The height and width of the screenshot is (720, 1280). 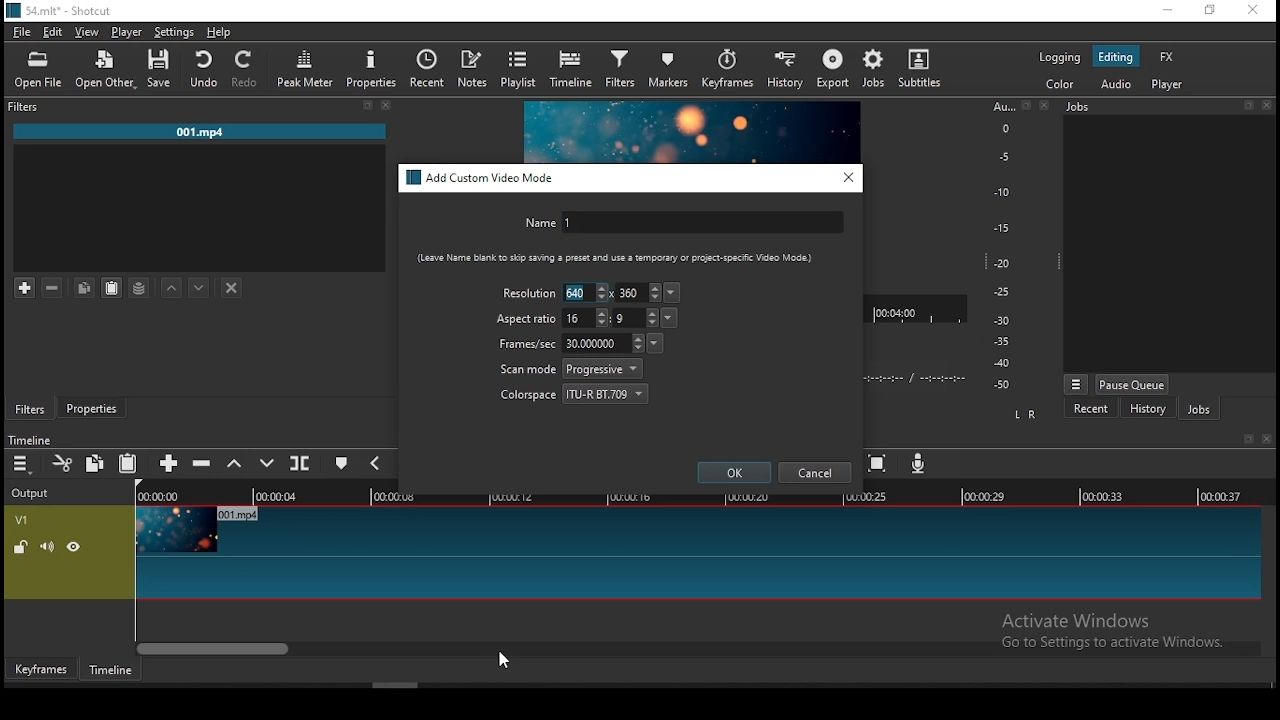 I want to click on undo, so click(x=205, y=69).